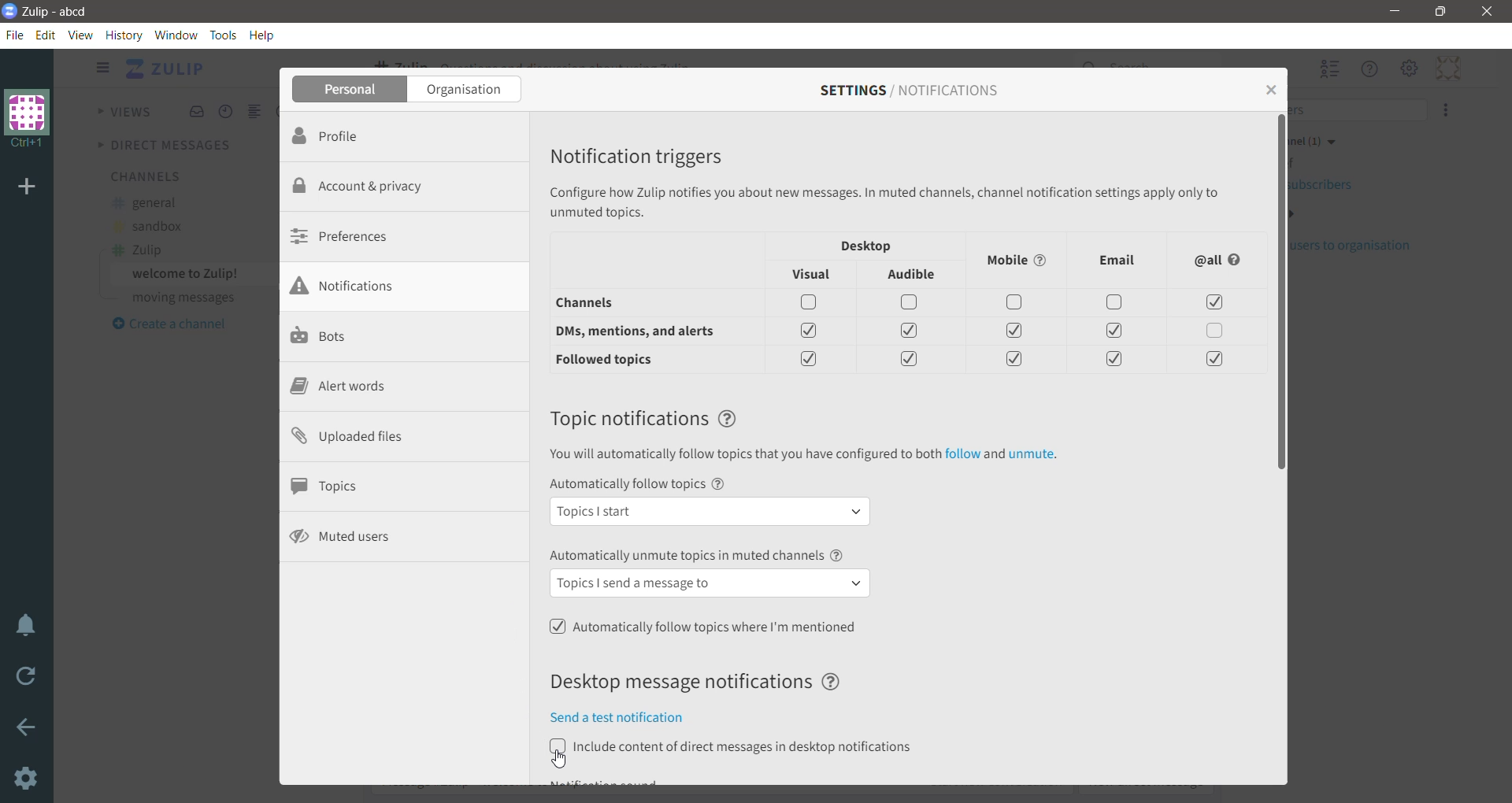 Image resolution: width=1512 pixels, height=803 pixels. I want to click on Add organization, so click(30, 187).